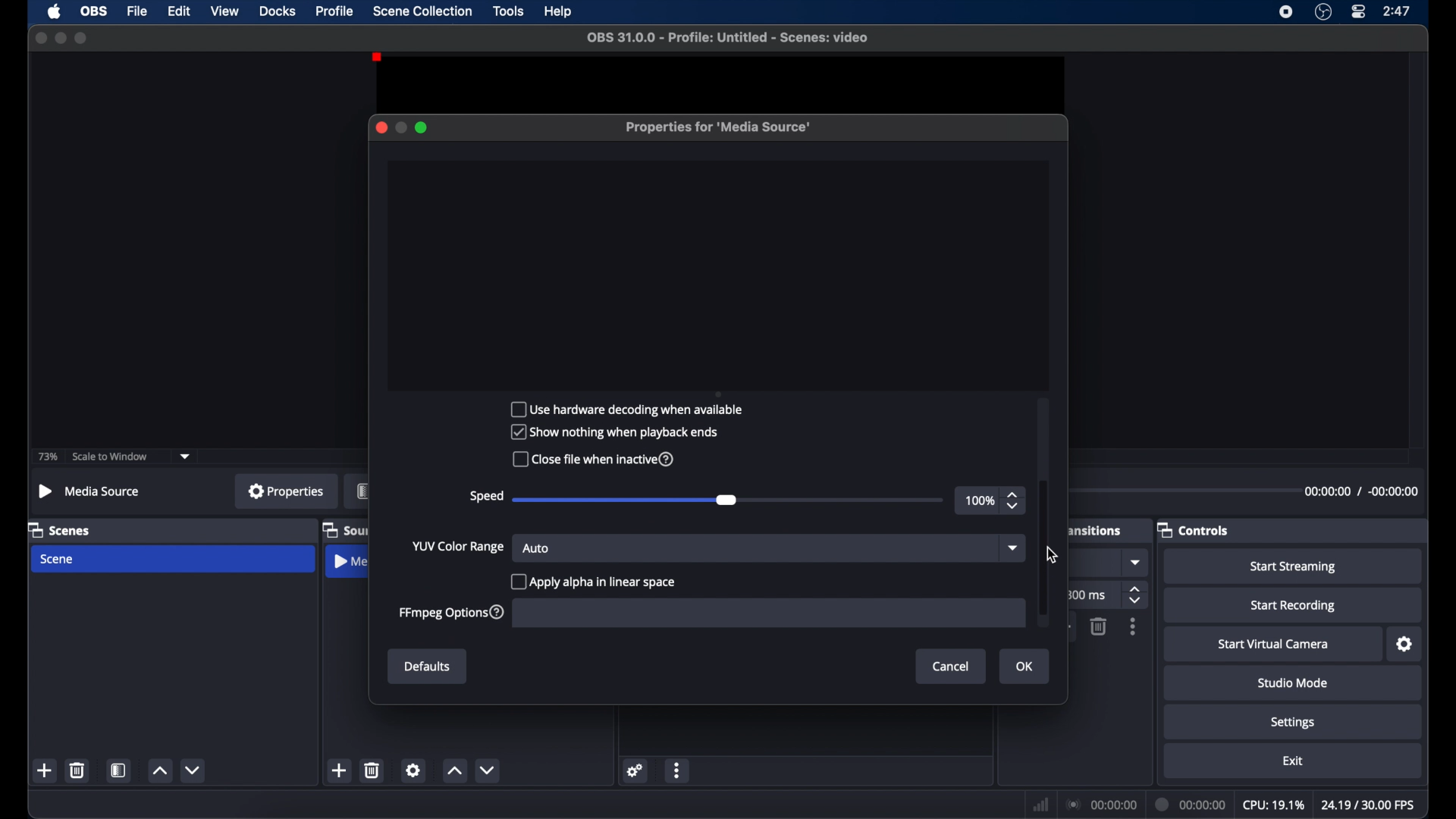 Image resolution: width=1456 pixels, height=819 pixels. What do you see at coordinates (487, 770) in the screenshot?
I see `decrement button` at bounding box center [487, 770].